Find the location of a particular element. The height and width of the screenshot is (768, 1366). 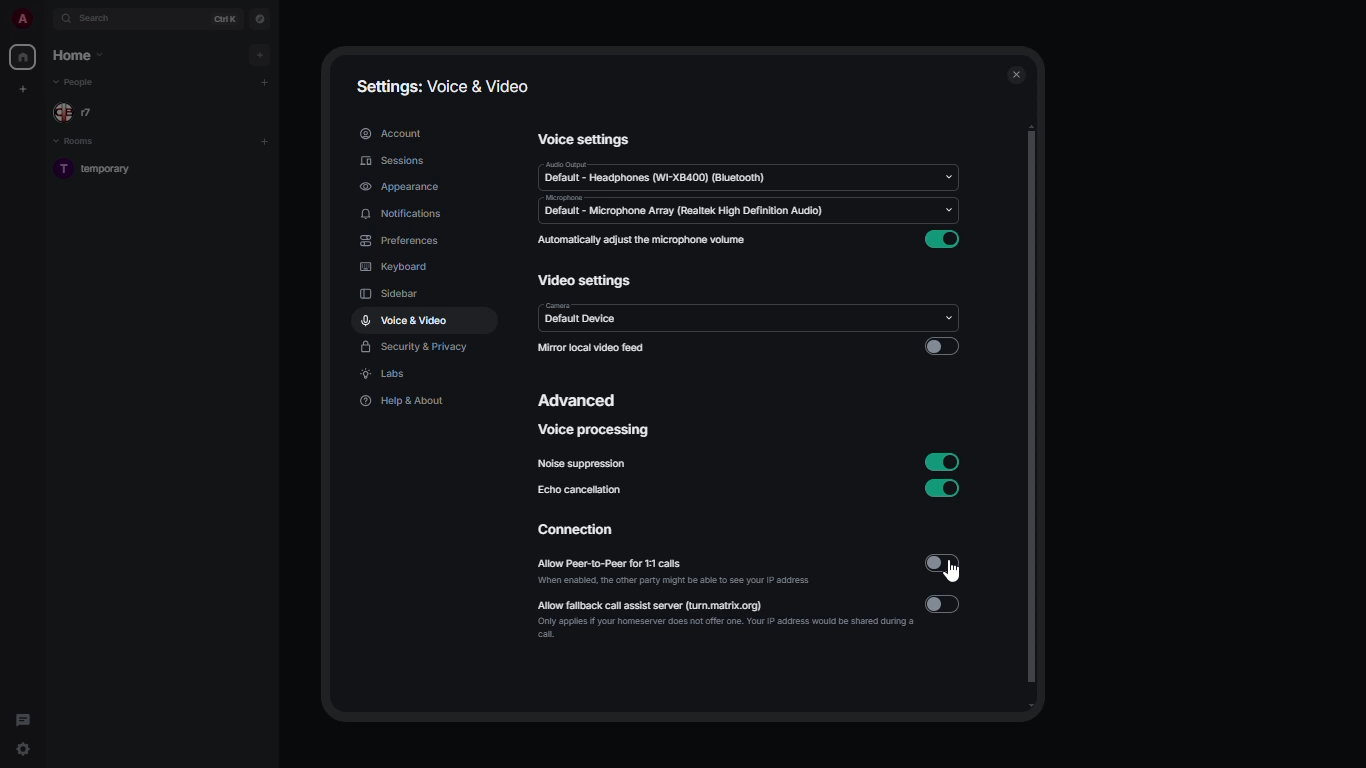

account is located at coordinates (390, 133).